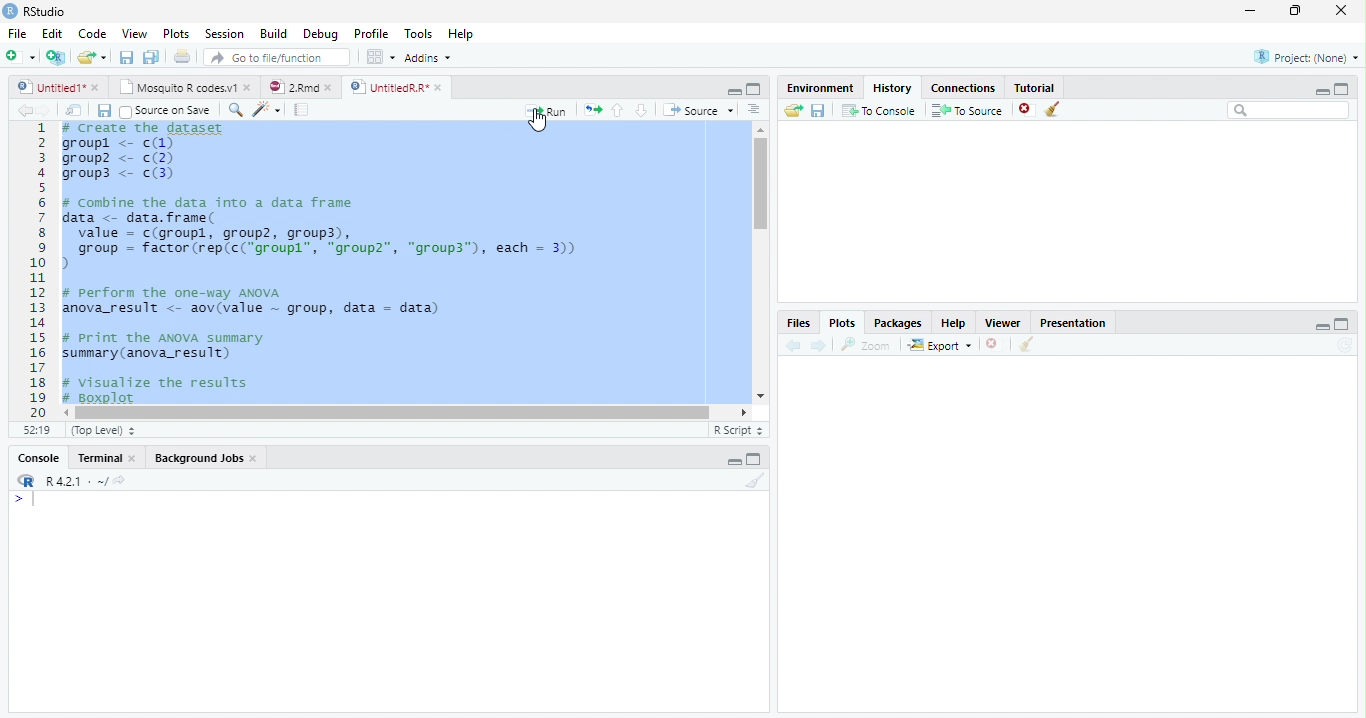 The height and width of the screenshot is (718, 1366). I want to click on Clear console, so click(759, 483).